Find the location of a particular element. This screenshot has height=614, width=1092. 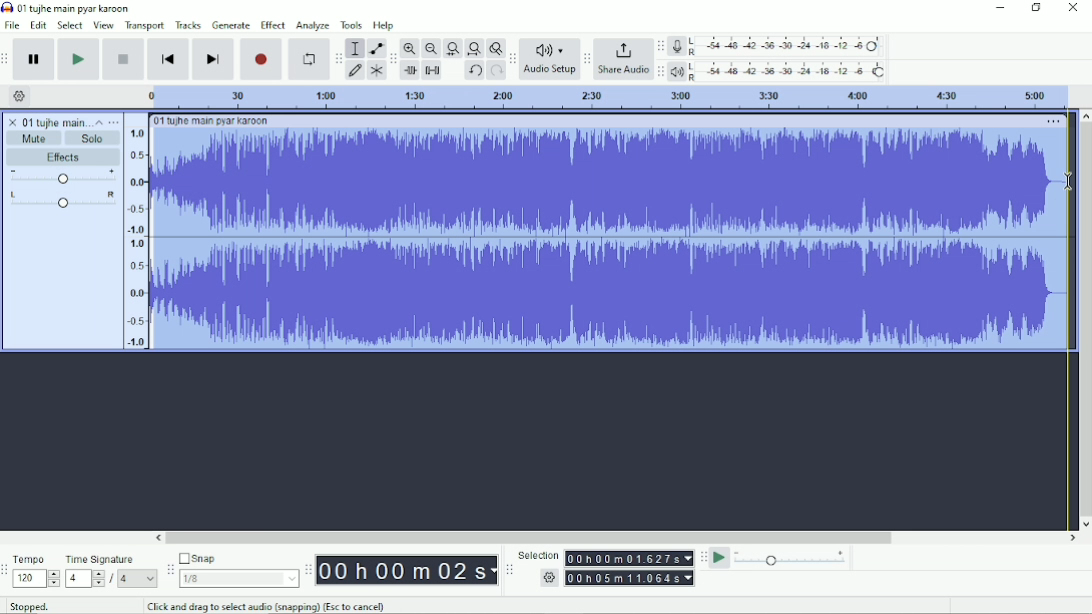

Solo is located at coordinates (94, 139).